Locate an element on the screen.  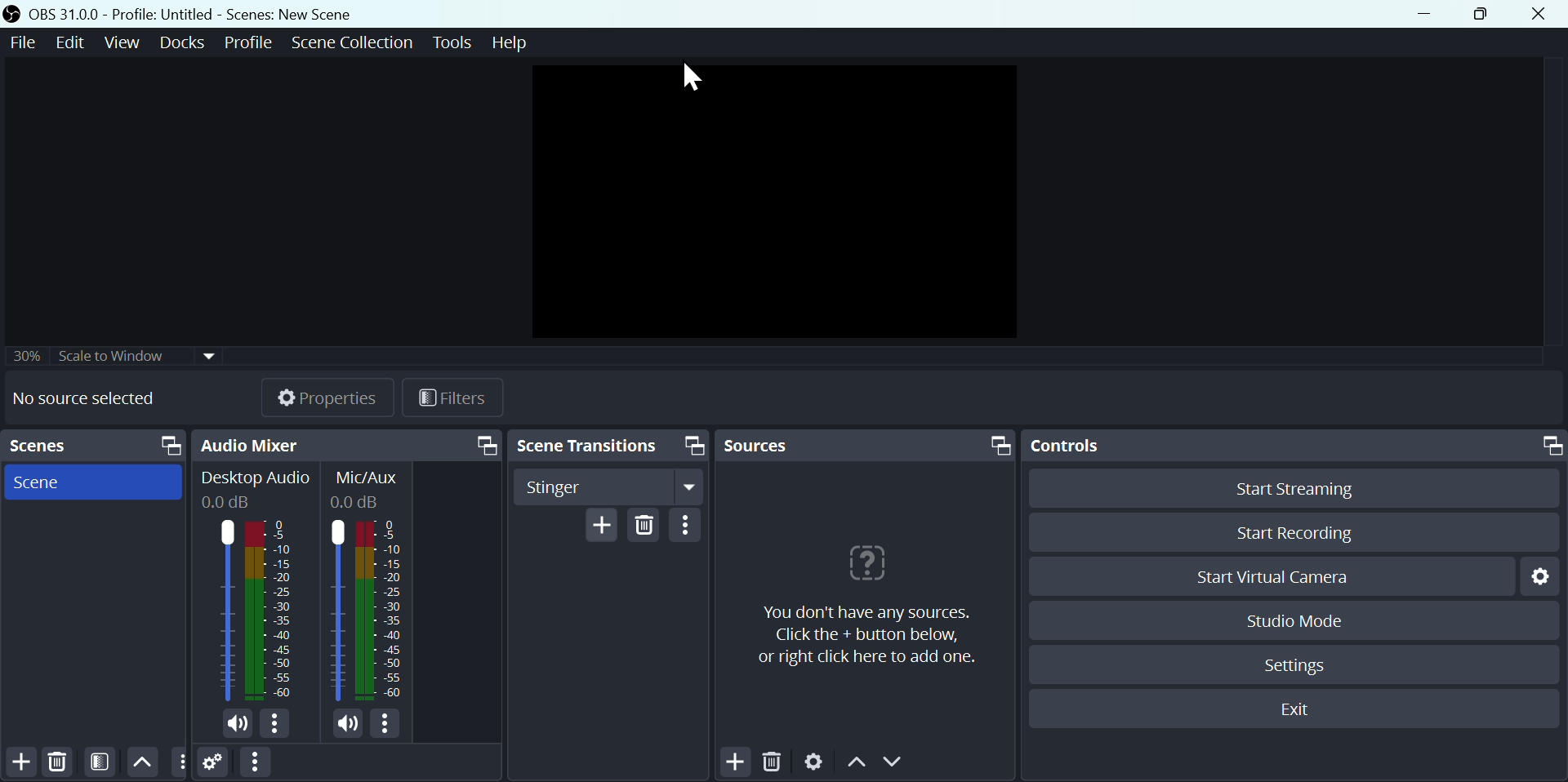
volume is located at coordinates (351, 726).